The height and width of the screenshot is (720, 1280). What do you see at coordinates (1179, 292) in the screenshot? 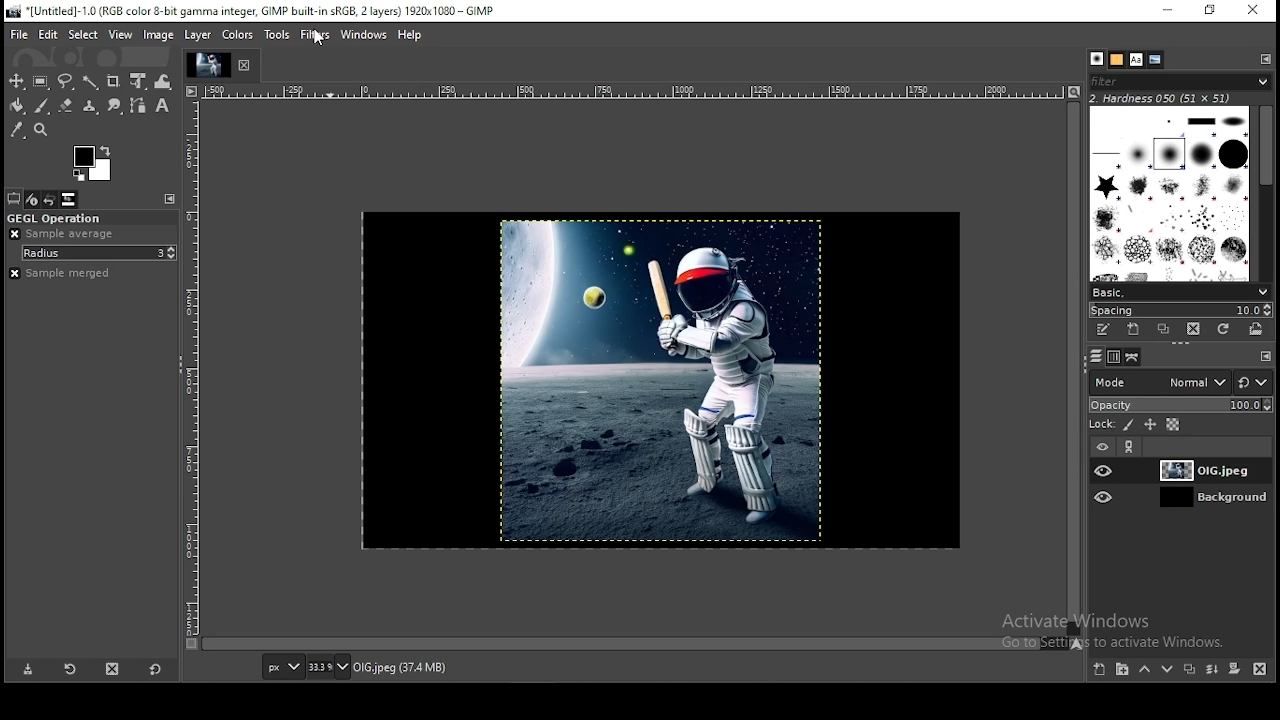
I see `brush presets` at bounding box center [1179, 292].